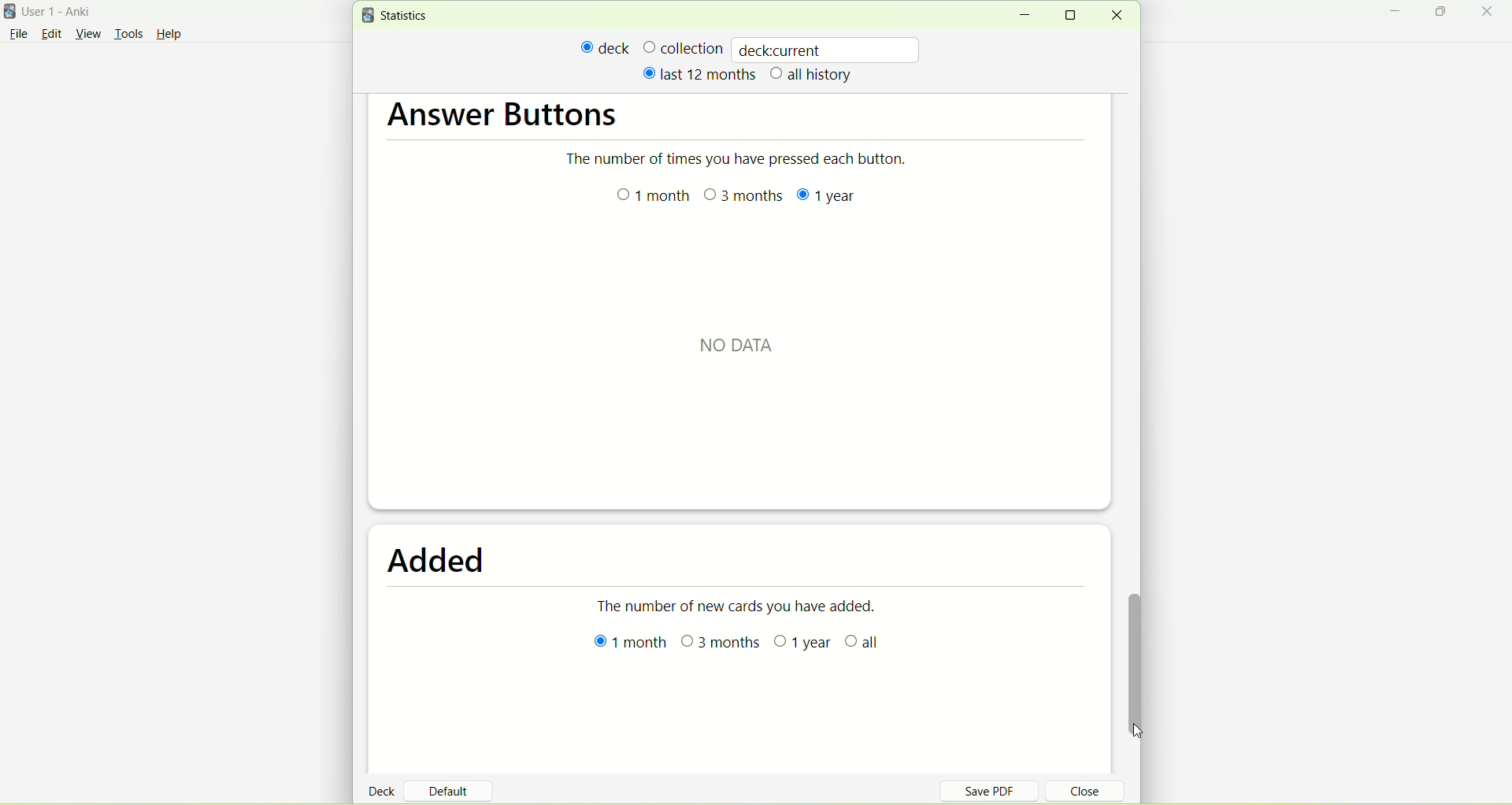 This screenshot has width=1512, height=805. I want to click on all, so click(865, 641).